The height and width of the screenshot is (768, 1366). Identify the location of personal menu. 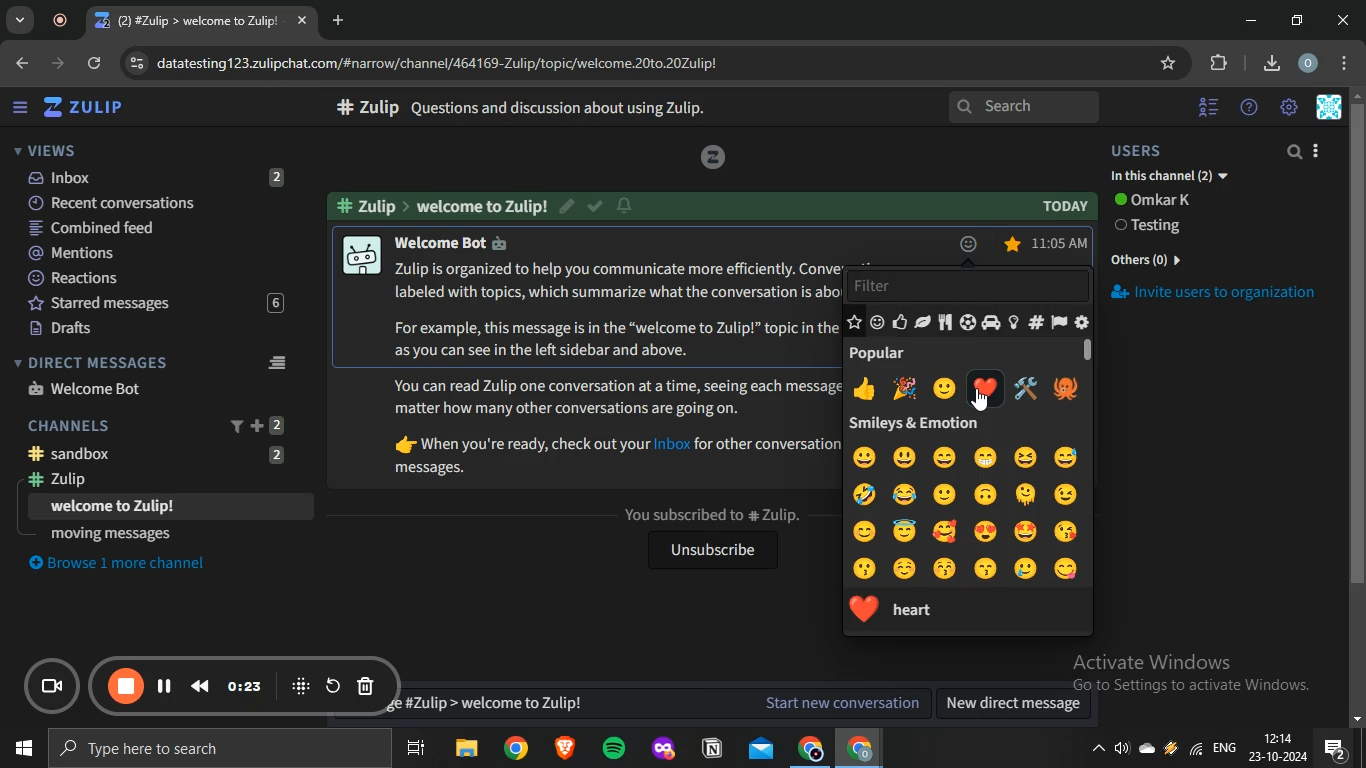
(1332, 108).